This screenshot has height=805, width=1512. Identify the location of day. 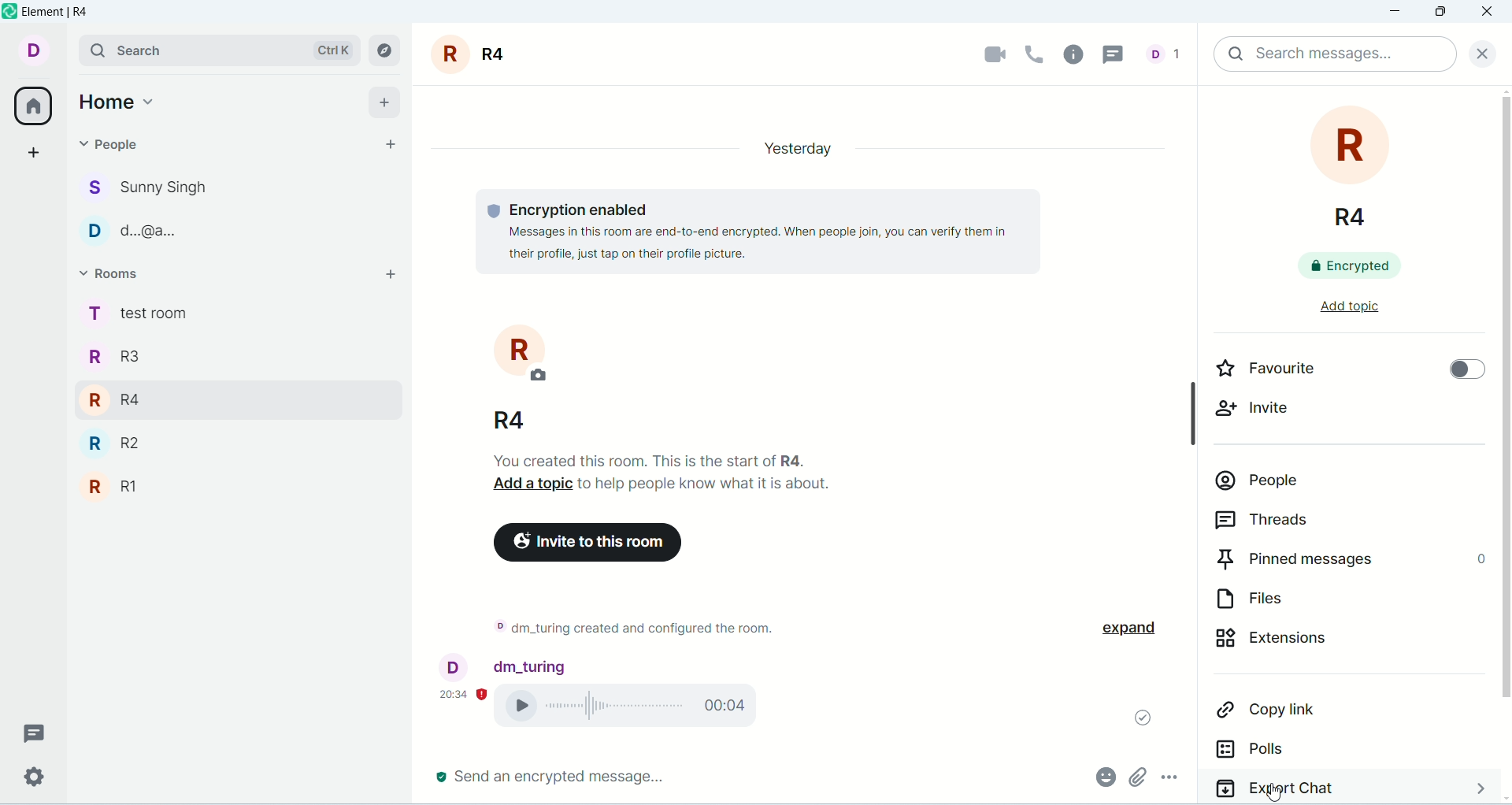
(791, 147).